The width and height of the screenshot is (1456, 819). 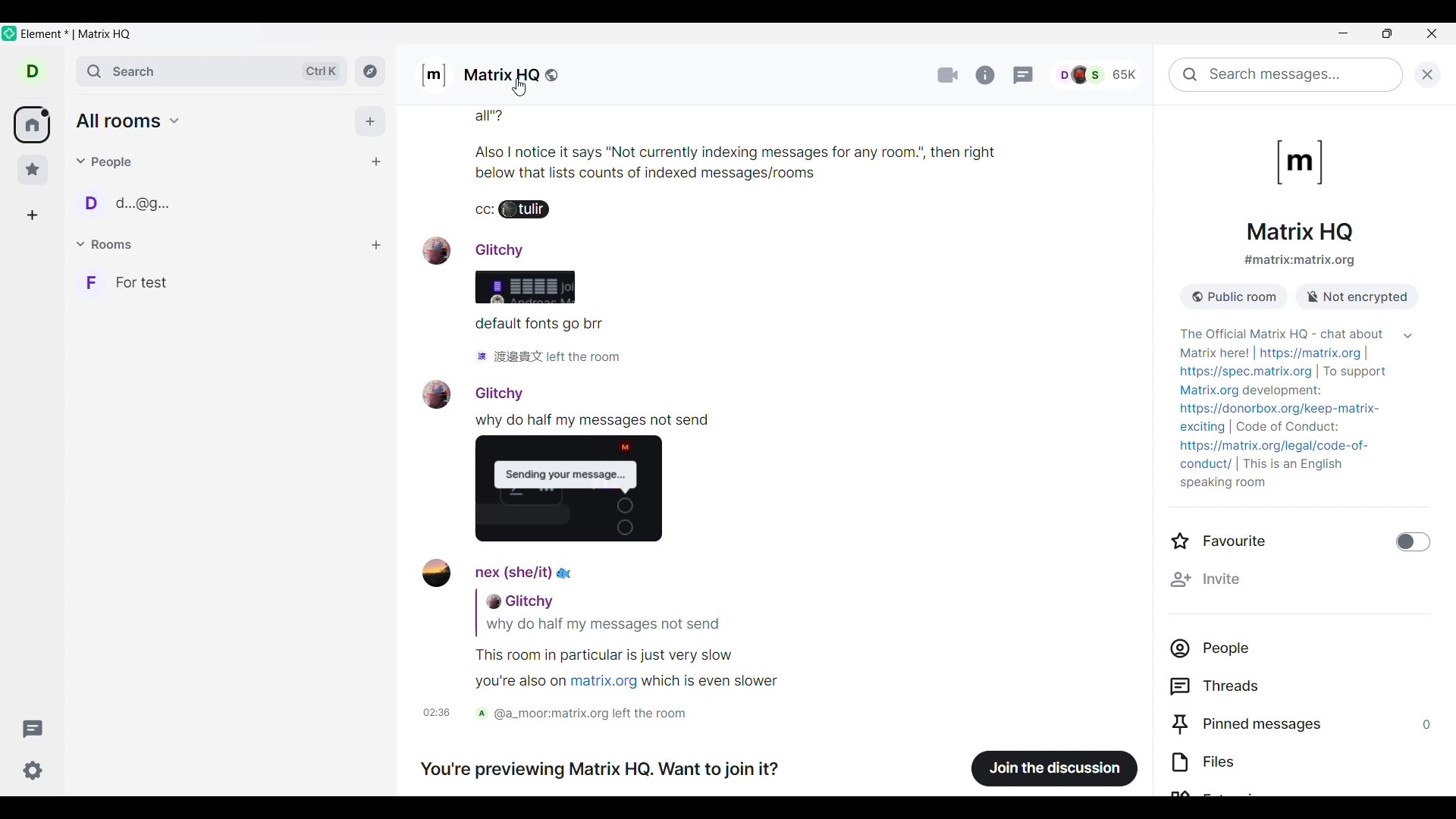 I want to click on #matrix.matrix.org, so click(x=1300, y=261).